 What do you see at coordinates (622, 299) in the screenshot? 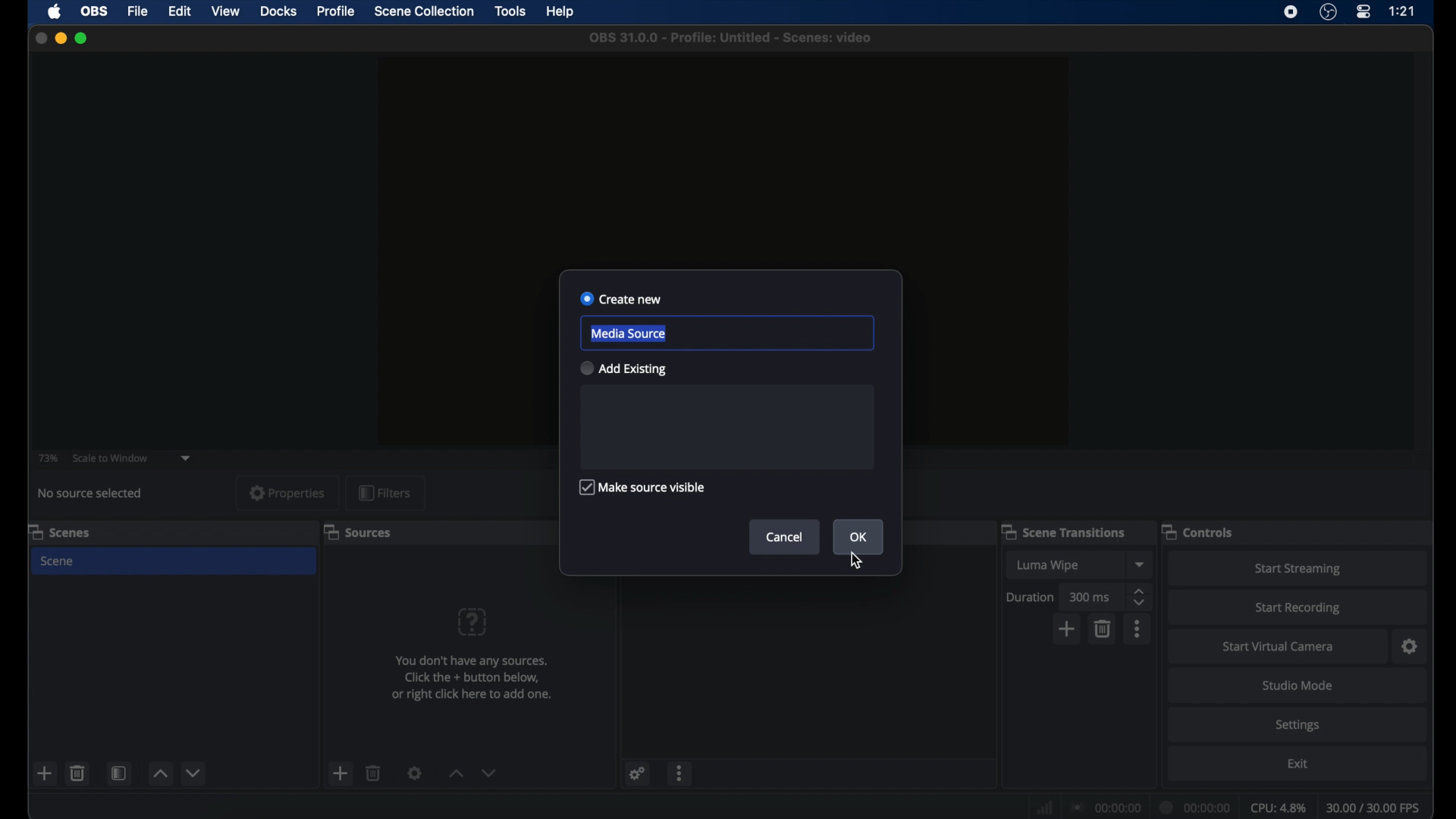
I see `create new` at bounding box center [622, 299].